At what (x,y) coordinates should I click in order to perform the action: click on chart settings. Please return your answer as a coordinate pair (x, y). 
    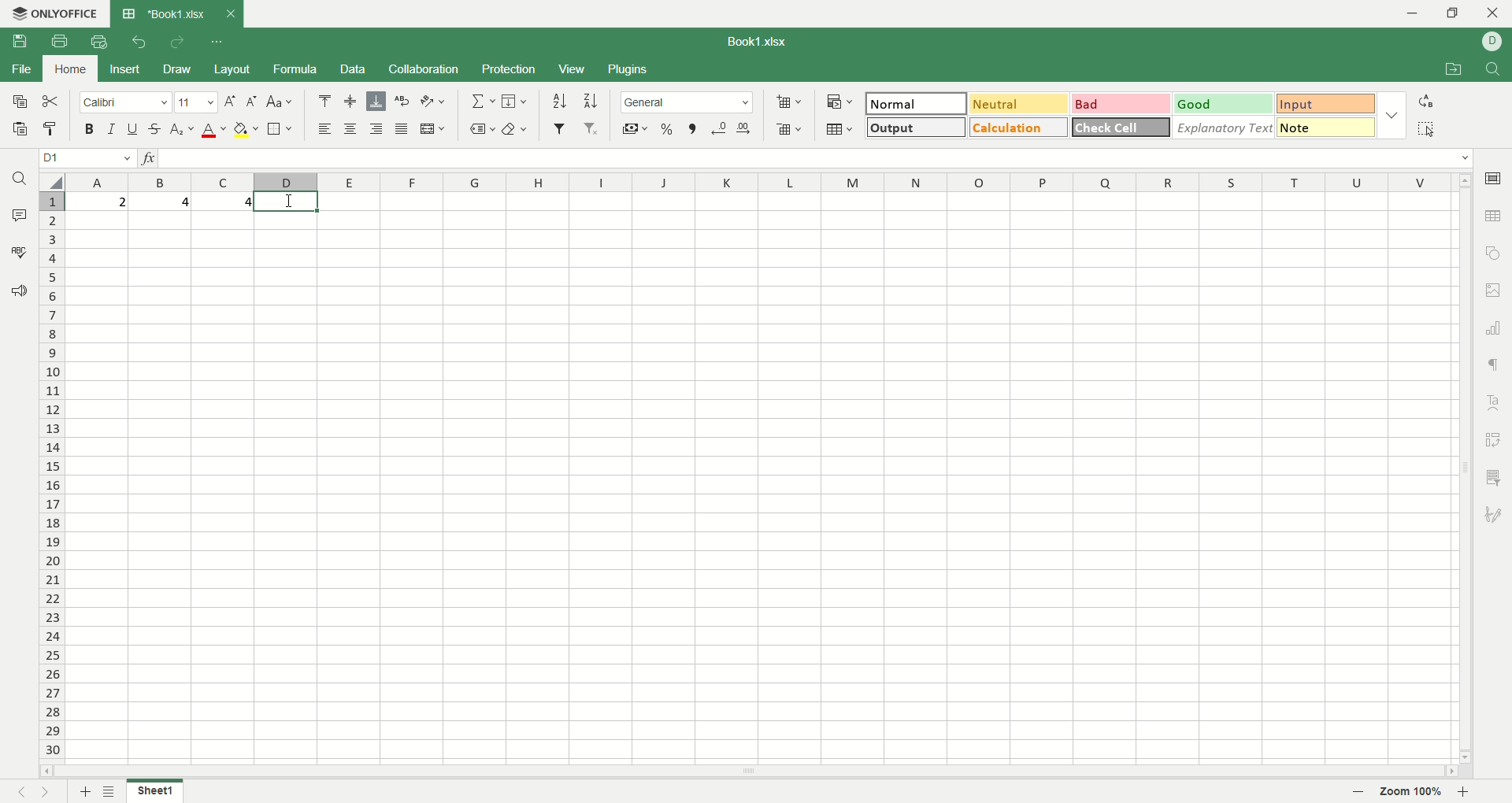
    Looking at the image, I should click on (1494, 328).